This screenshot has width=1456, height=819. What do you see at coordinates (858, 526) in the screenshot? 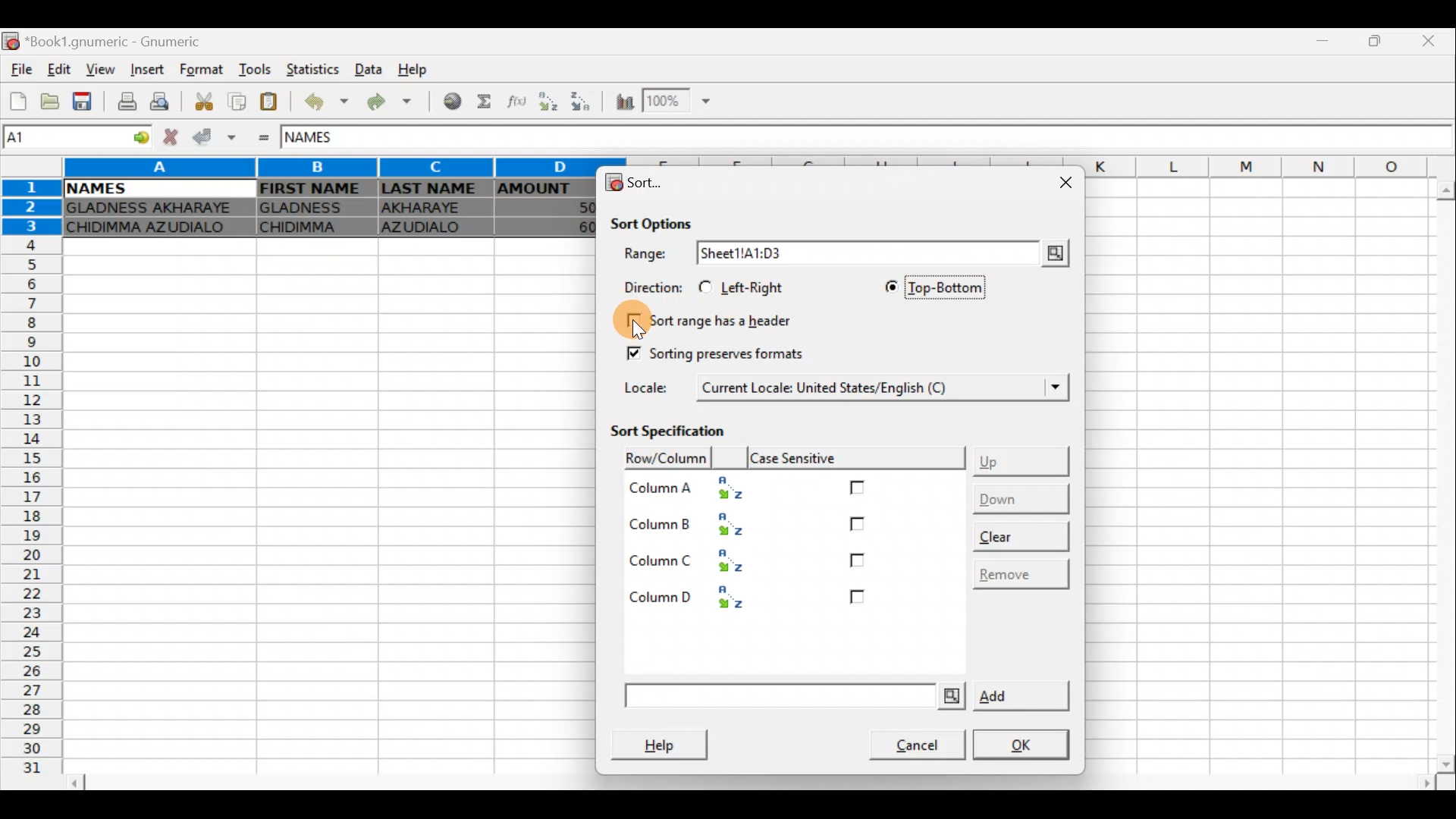
I see `Checkbox` at bounding box center [858, 526].